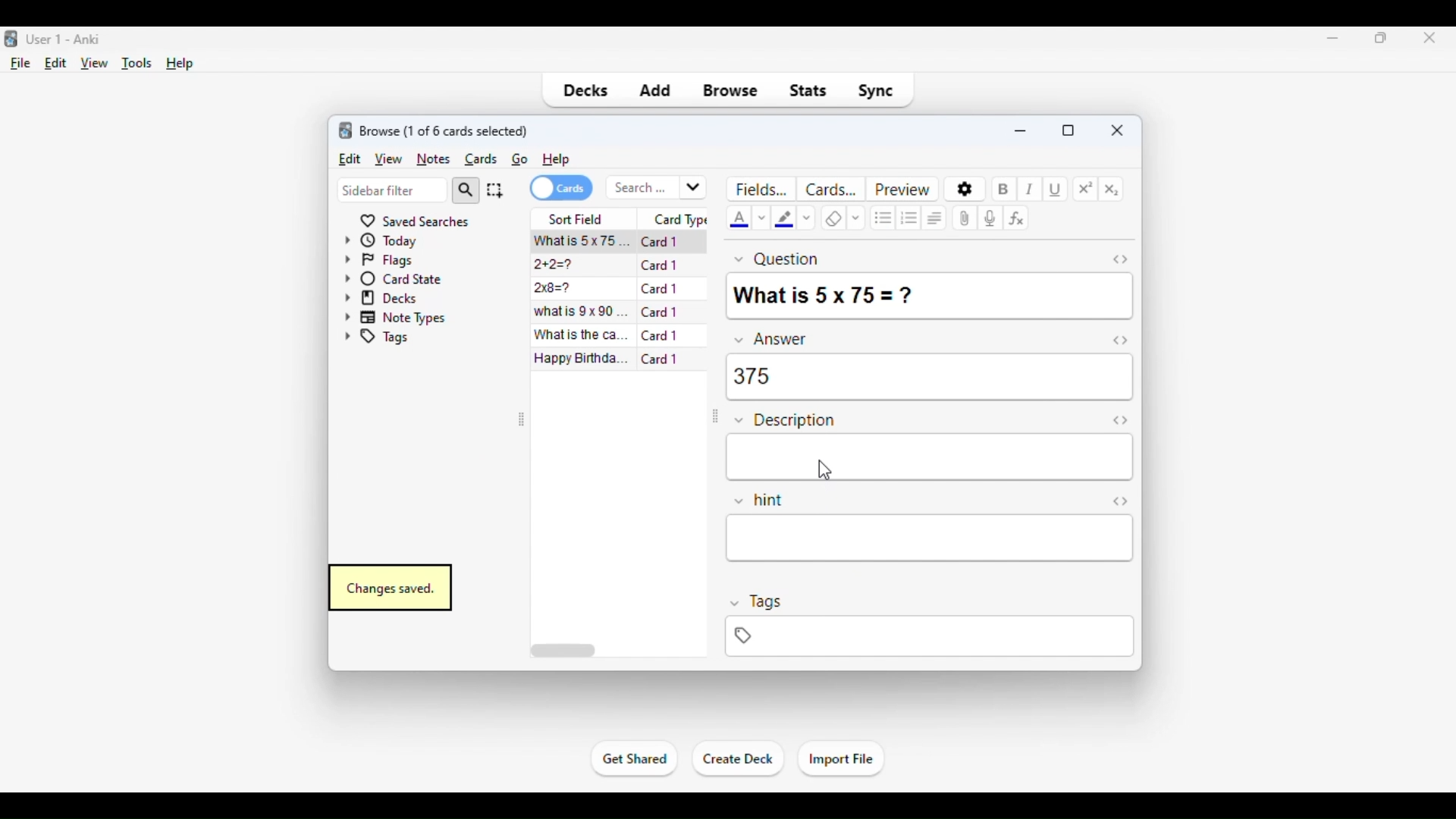 The width and height of the screenshot is (1456, 819). I want to click on card 1, so click(661, 288).